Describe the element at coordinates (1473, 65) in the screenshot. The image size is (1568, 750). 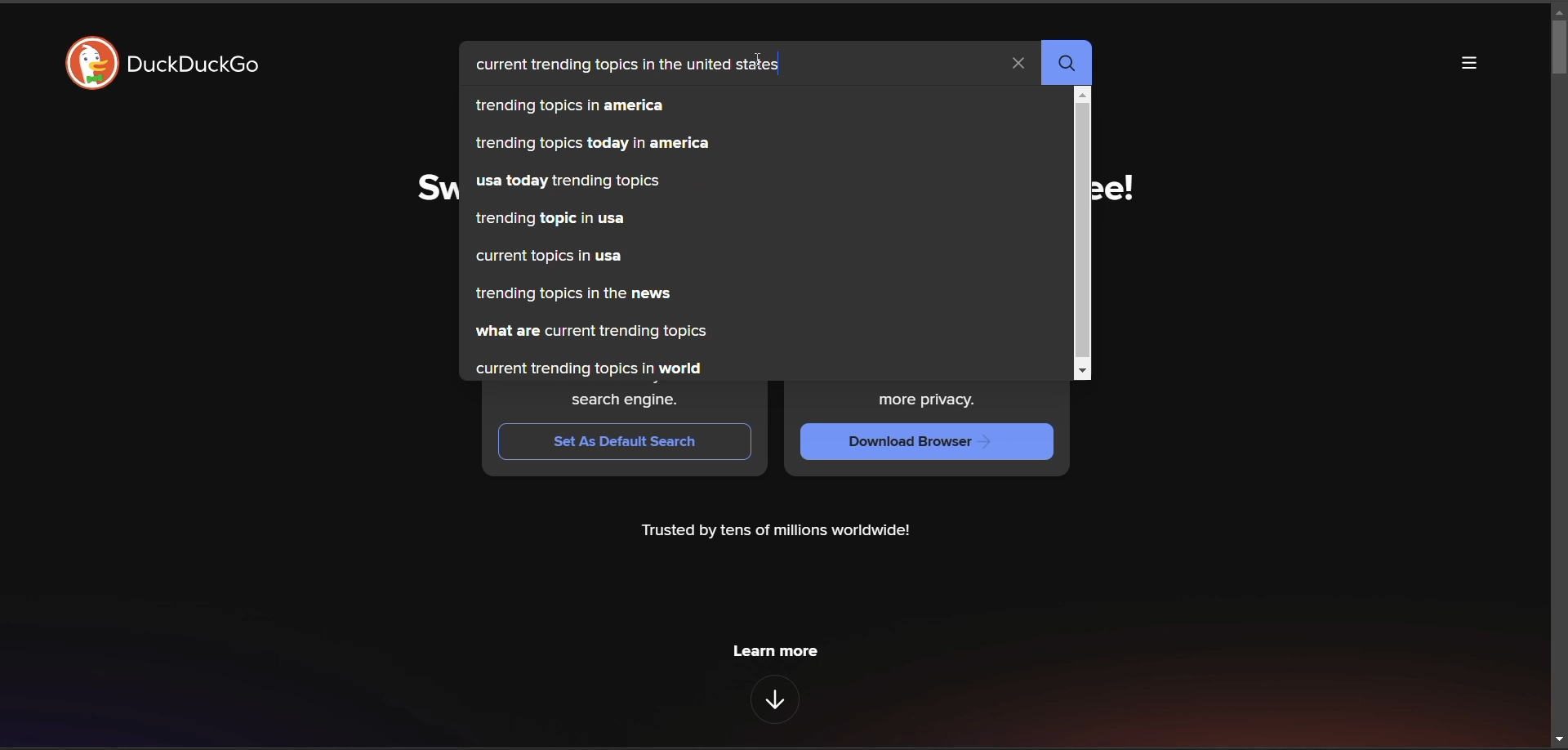
I see `more options` at that location.